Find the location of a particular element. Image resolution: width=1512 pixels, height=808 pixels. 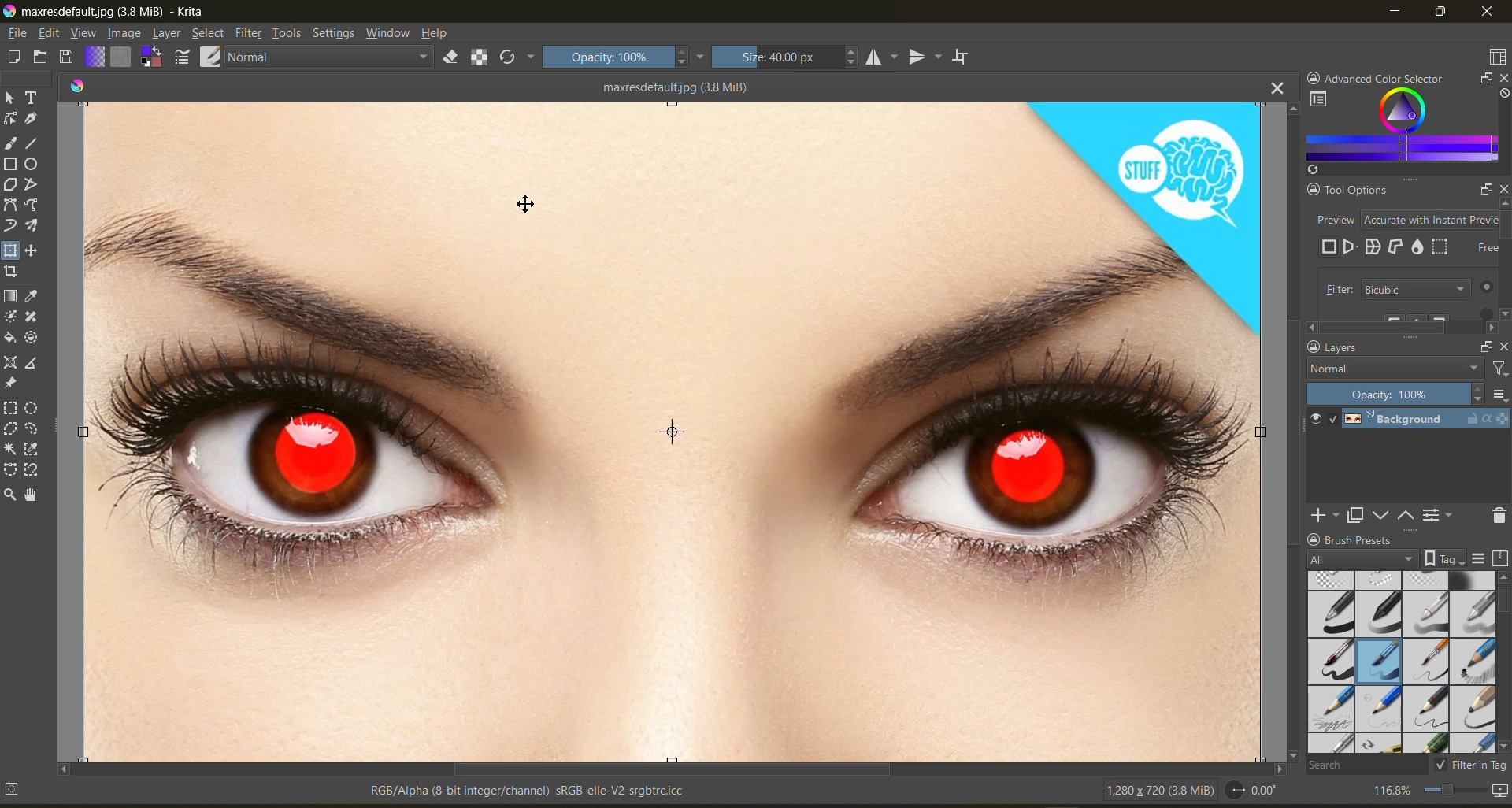

tools is located at coordinates (287, 34).